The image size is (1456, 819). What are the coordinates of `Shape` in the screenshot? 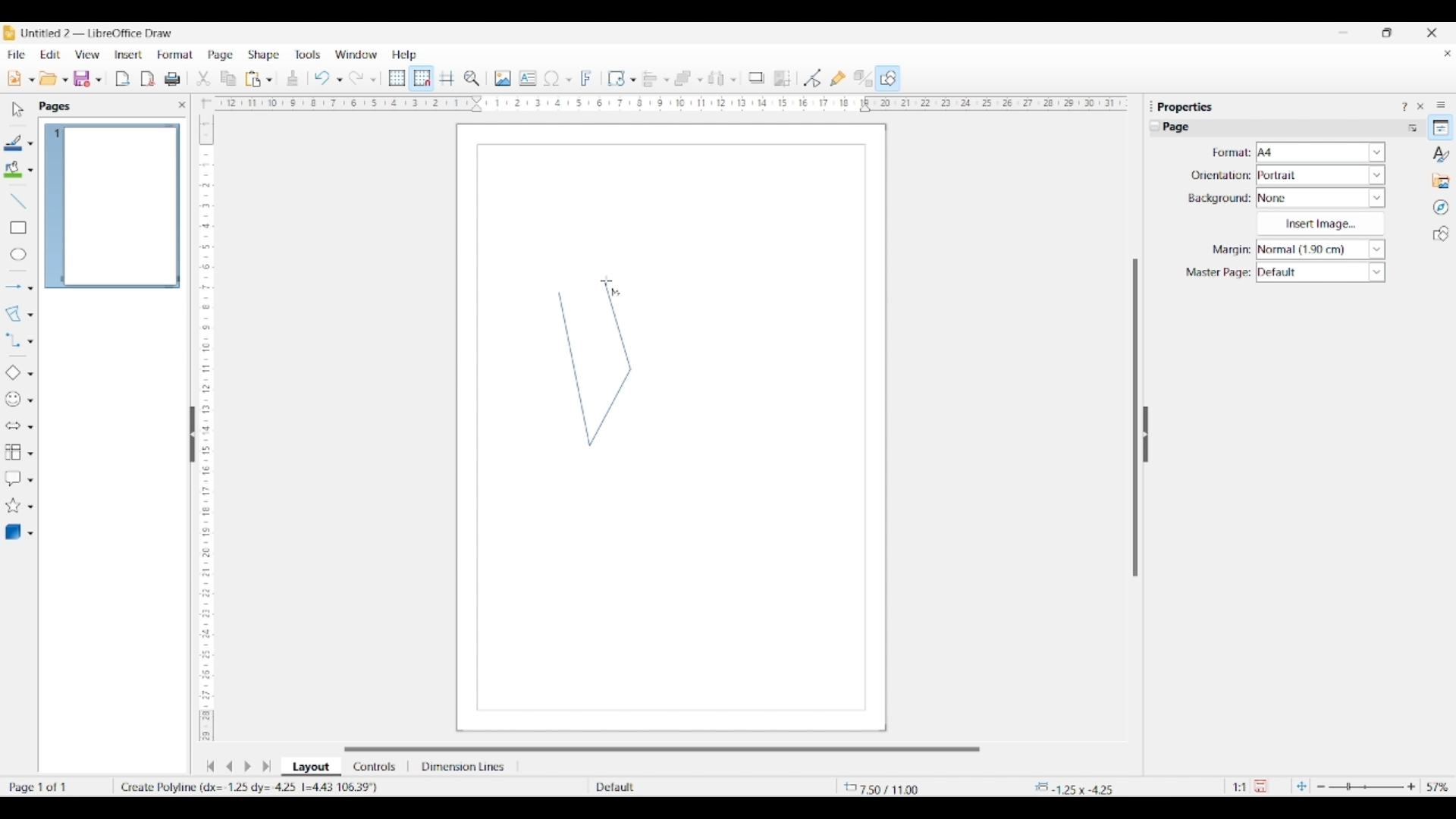 It's located at (265, 55).